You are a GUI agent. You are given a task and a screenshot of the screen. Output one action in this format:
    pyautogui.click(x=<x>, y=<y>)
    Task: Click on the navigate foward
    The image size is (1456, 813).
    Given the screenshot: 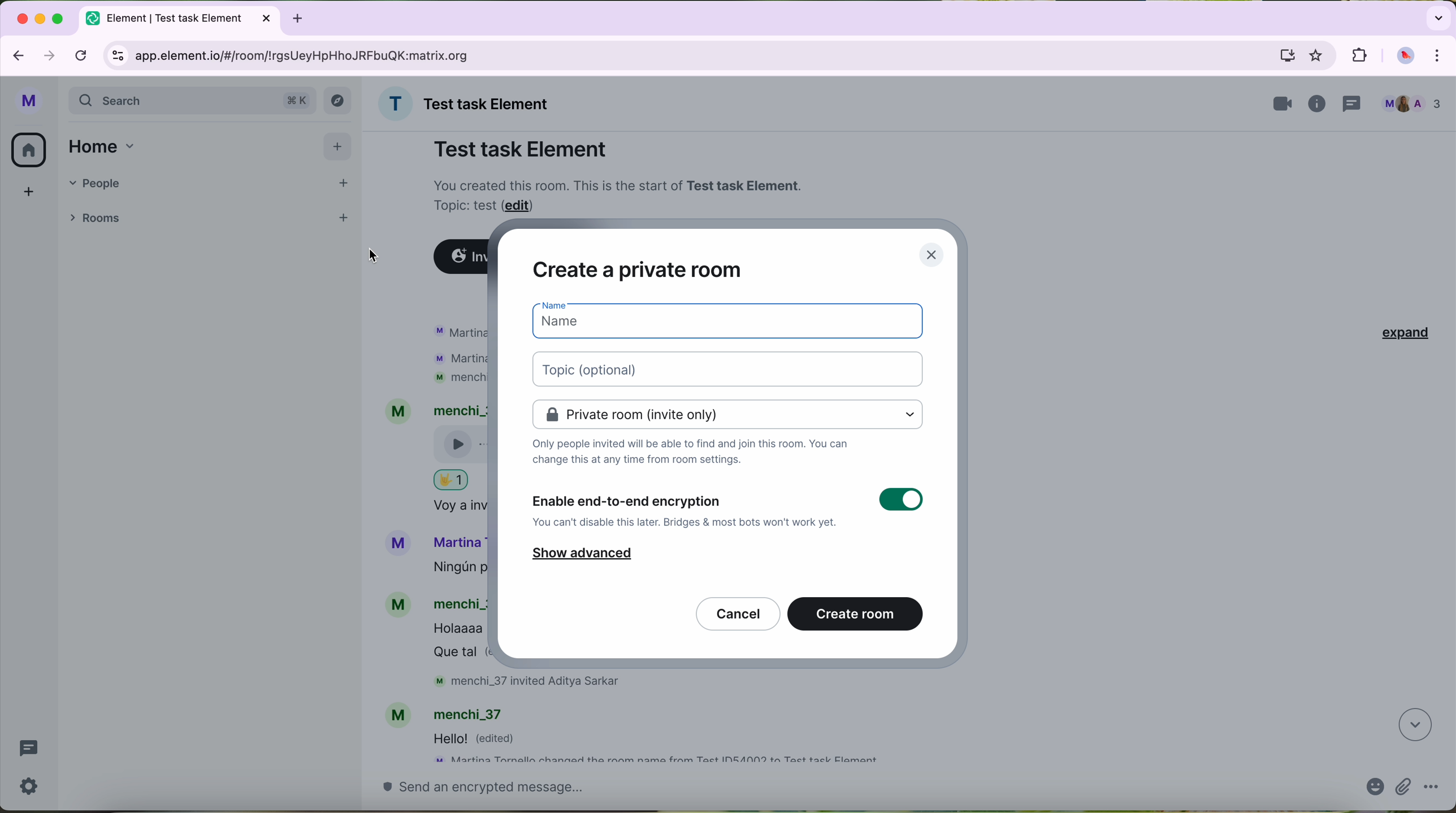 What is the action you would take?
    pyautogui.click(x=50, y=55)
    